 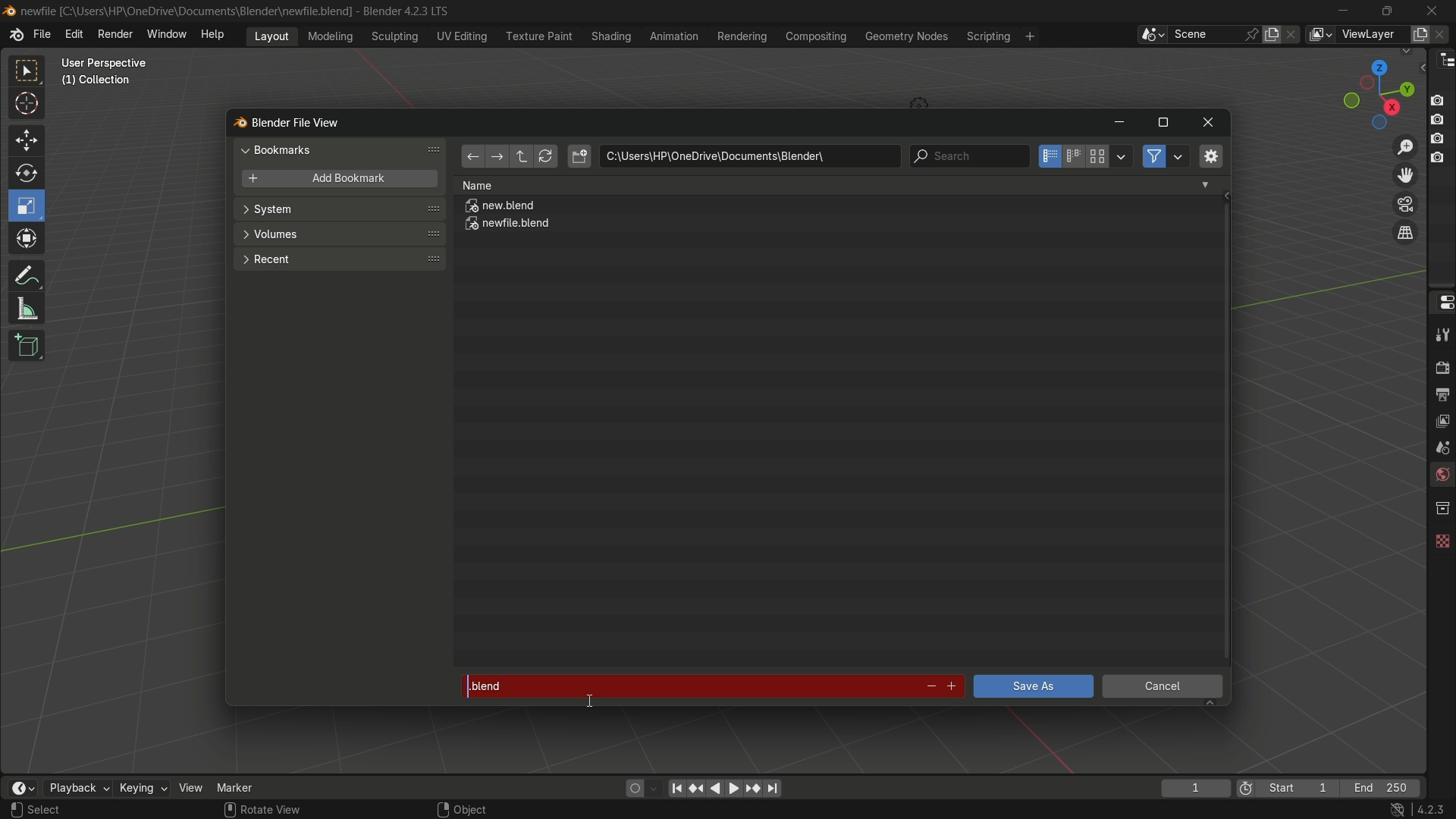 What do you see at coordinates (1032, 686) in the screenshot?
I see `save as` at bounding box center [1032, 686].